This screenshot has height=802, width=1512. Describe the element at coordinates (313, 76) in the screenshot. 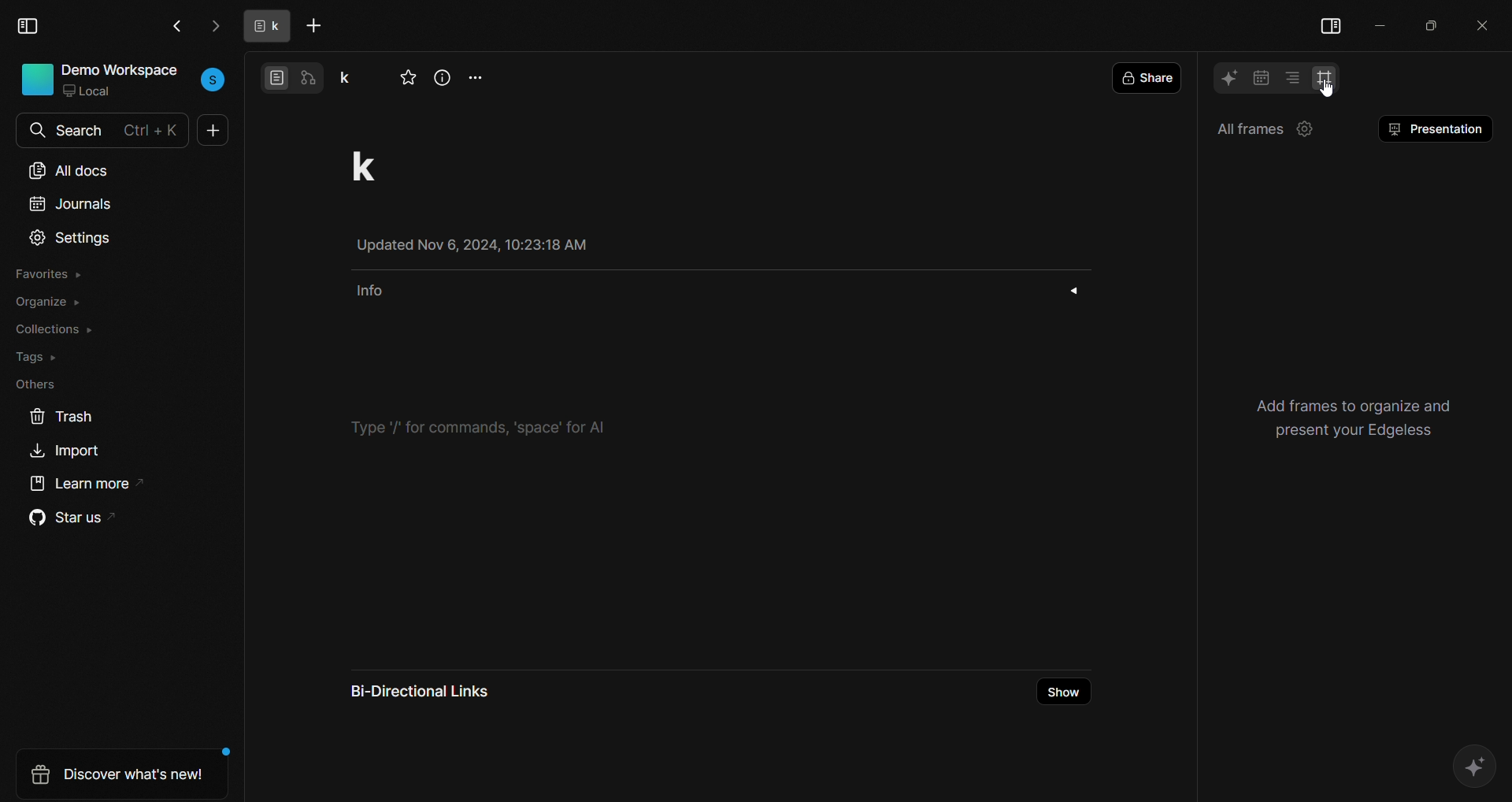

I see `edgeless` at that location.